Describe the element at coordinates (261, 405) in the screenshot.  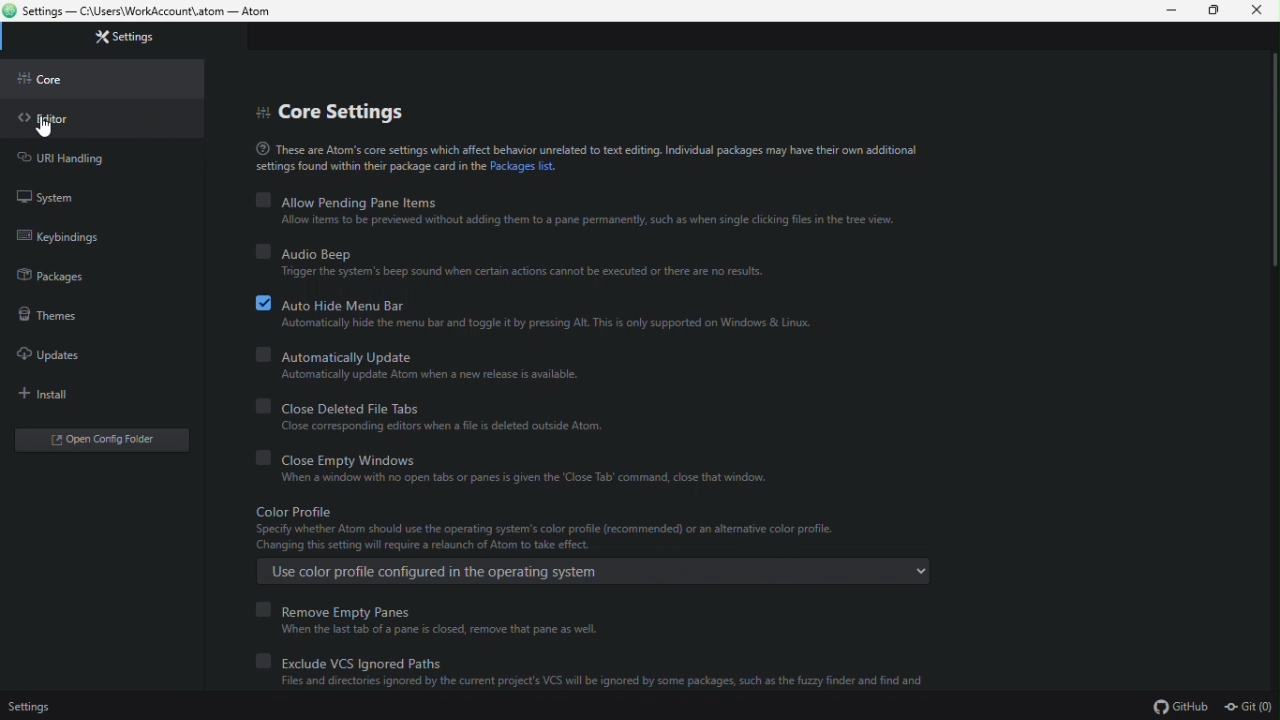
I see `off` at that location.